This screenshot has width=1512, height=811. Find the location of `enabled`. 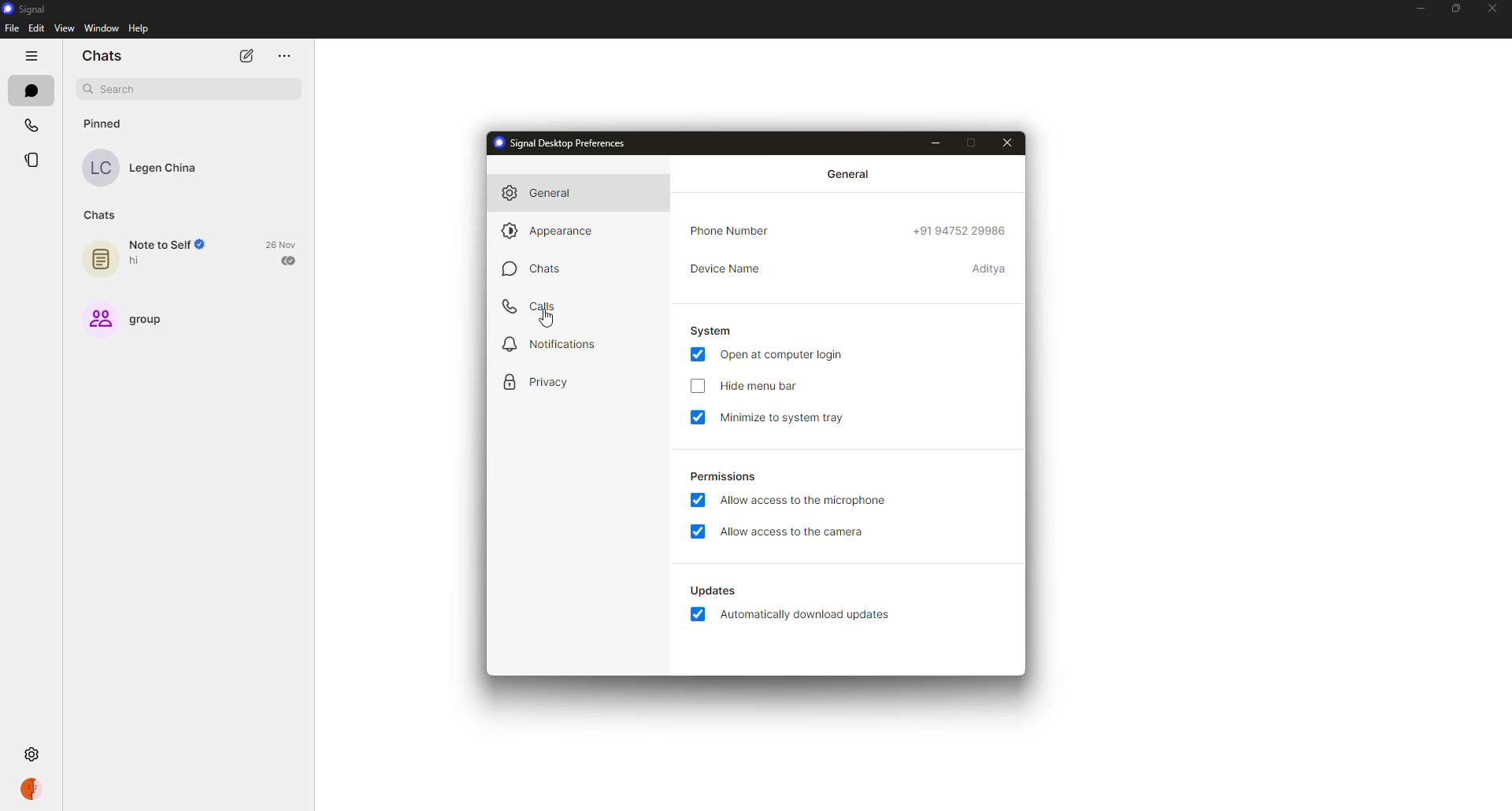

enabled is located at coordinates (699, 613).